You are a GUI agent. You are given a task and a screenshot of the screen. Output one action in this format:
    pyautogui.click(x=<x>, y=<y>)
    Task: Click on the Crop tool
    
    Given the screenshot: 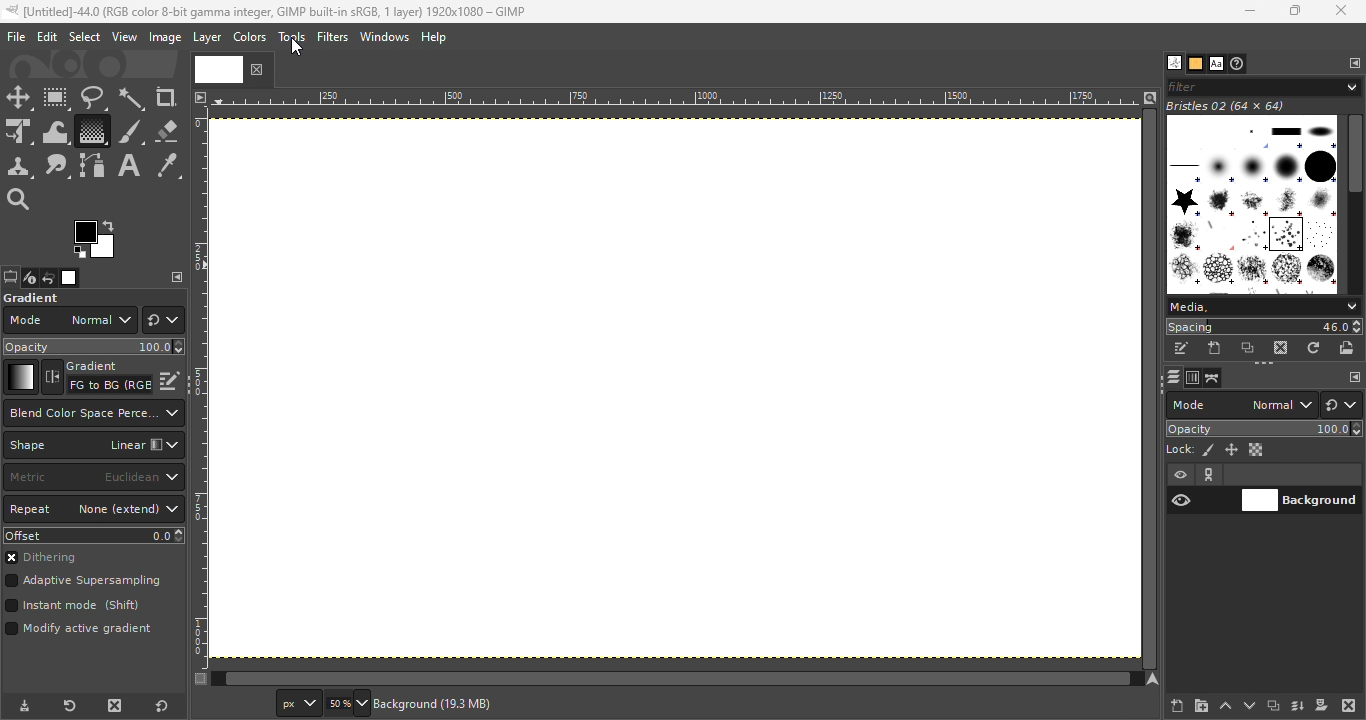 What is the action you would take?
    pyautogui.click(x=166, y=97)
    